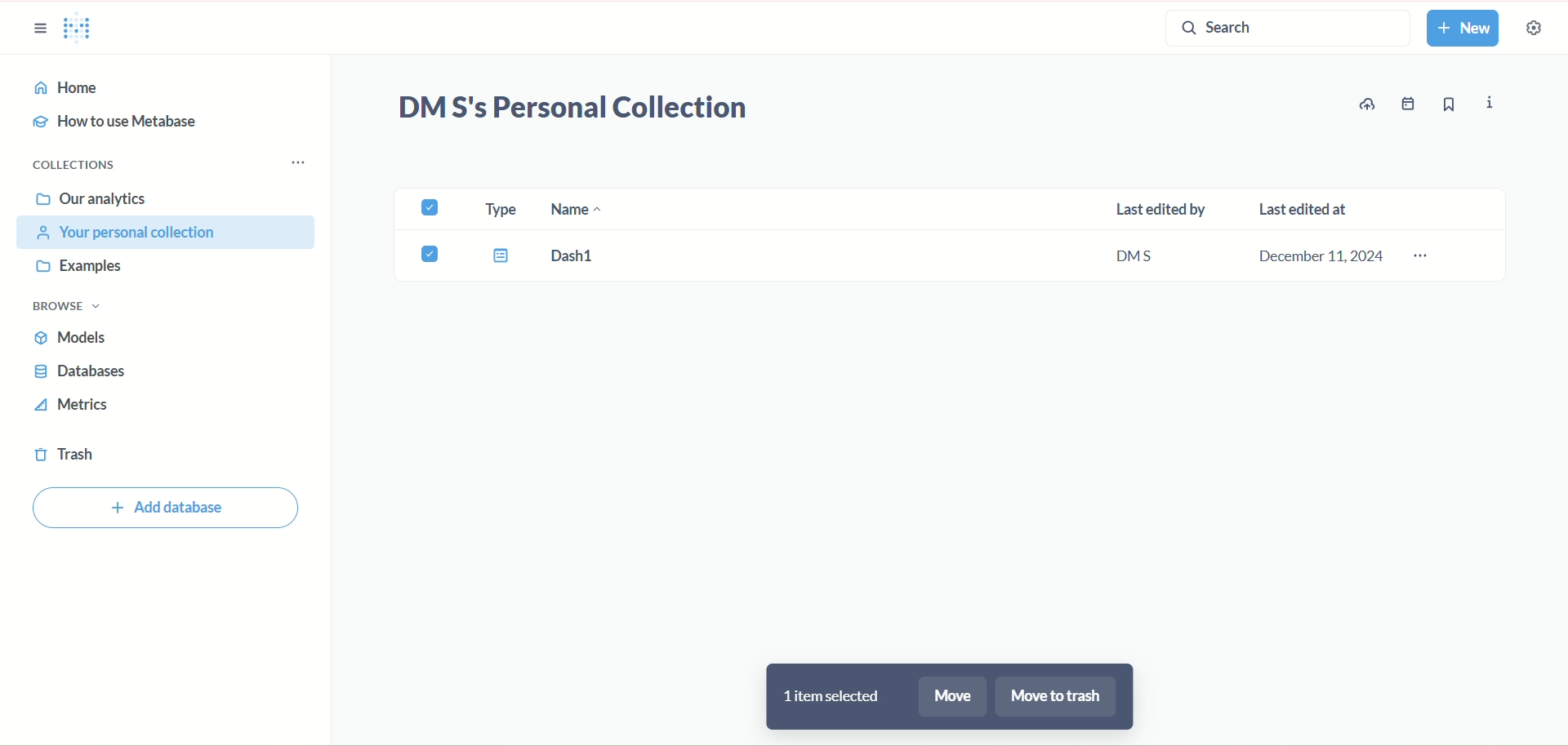  What do you see at coordinates (116, 123) in the screenshot?
I see `how to use metabase` at bounding box center [116, 123].